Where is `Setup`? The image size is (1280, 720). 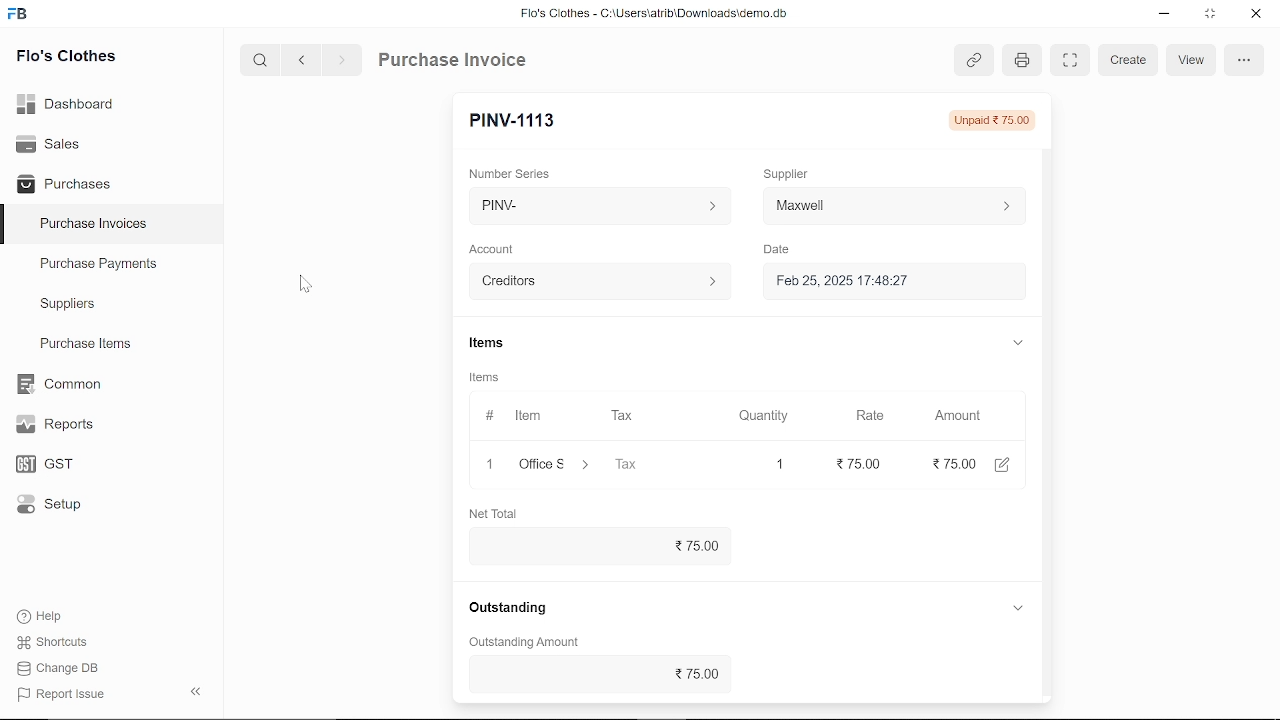 Setup is located at coordinates (44, 508).